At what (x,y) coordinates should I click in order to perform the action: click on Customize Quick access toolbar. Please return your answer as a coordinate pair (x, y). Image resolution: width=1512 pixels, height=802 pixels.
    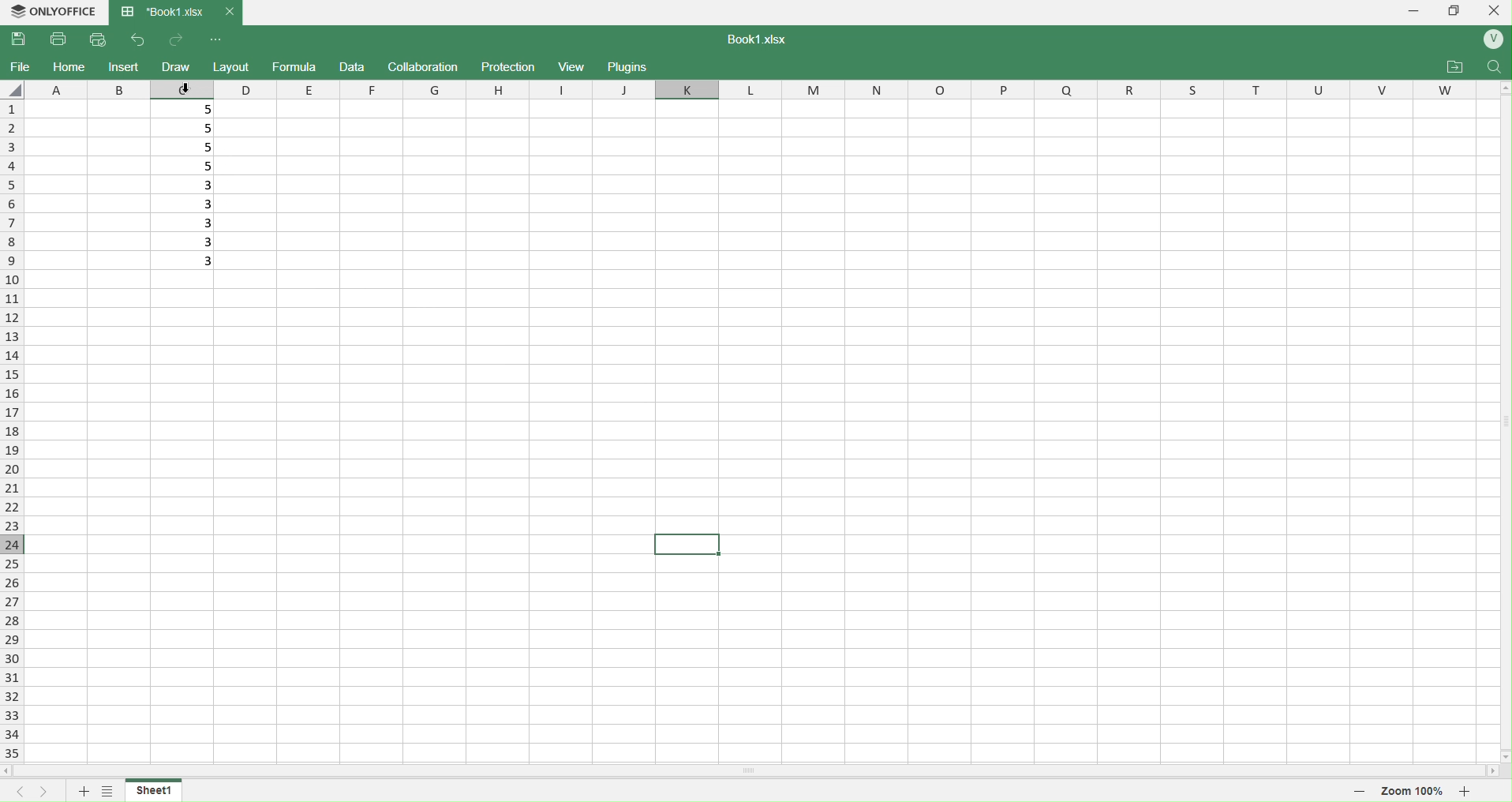
    Looking at the image, I should click on (216, 40).